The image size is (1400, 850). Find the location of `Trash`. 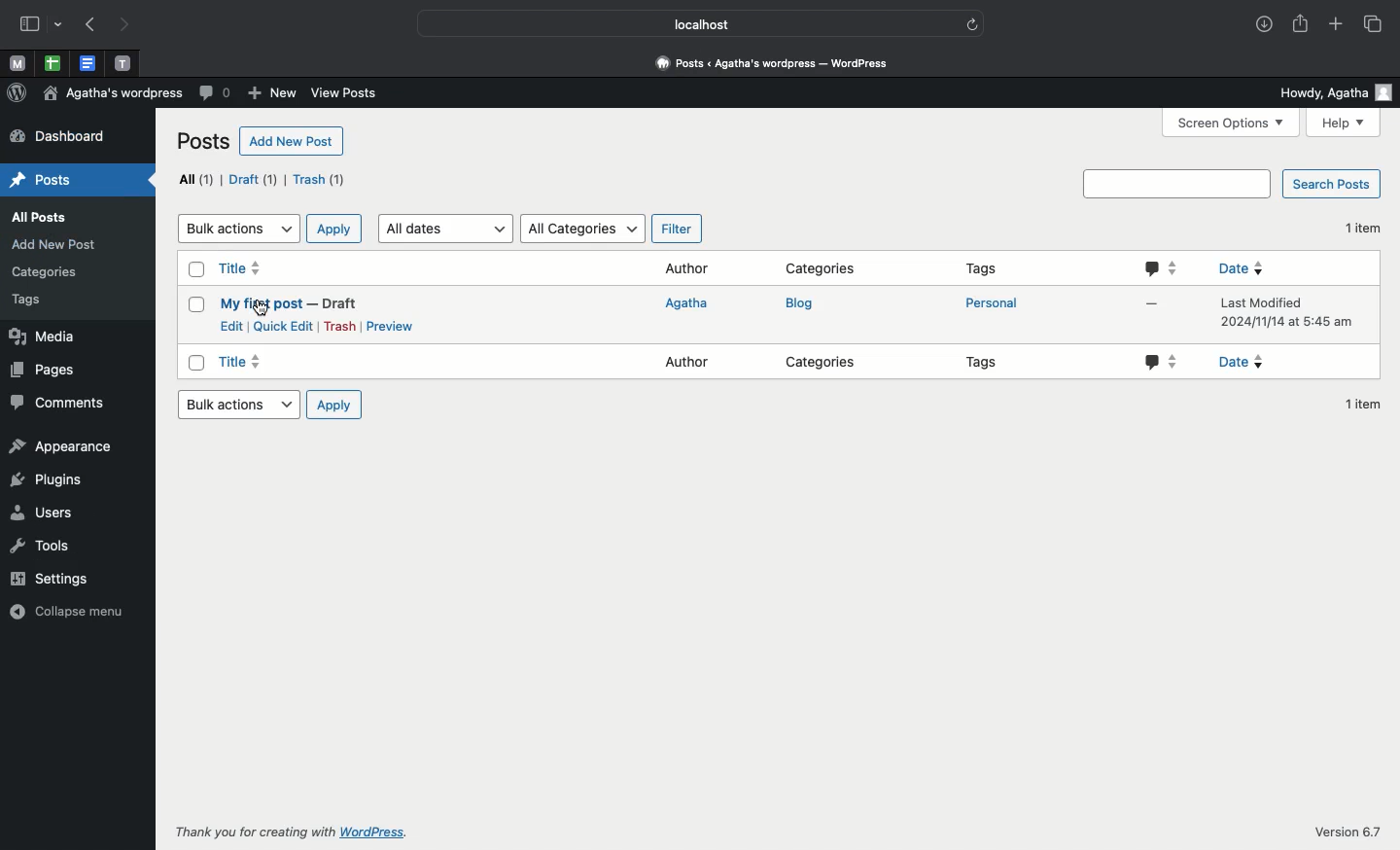

Trash is located at coordinates (320, 181).